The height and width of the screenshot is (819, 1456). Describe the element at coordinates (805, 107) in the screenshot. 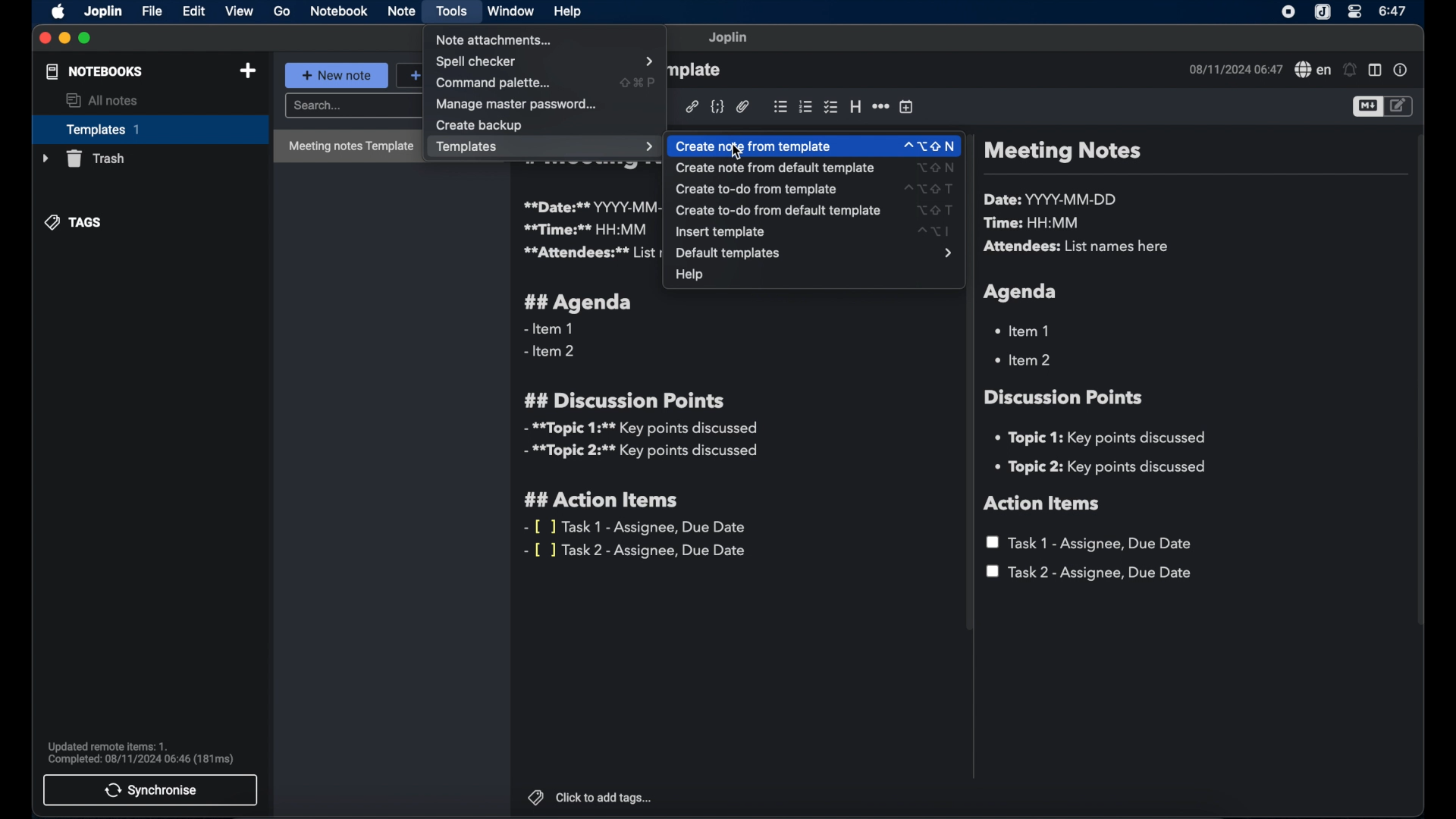

I see `numbered list` at that location.